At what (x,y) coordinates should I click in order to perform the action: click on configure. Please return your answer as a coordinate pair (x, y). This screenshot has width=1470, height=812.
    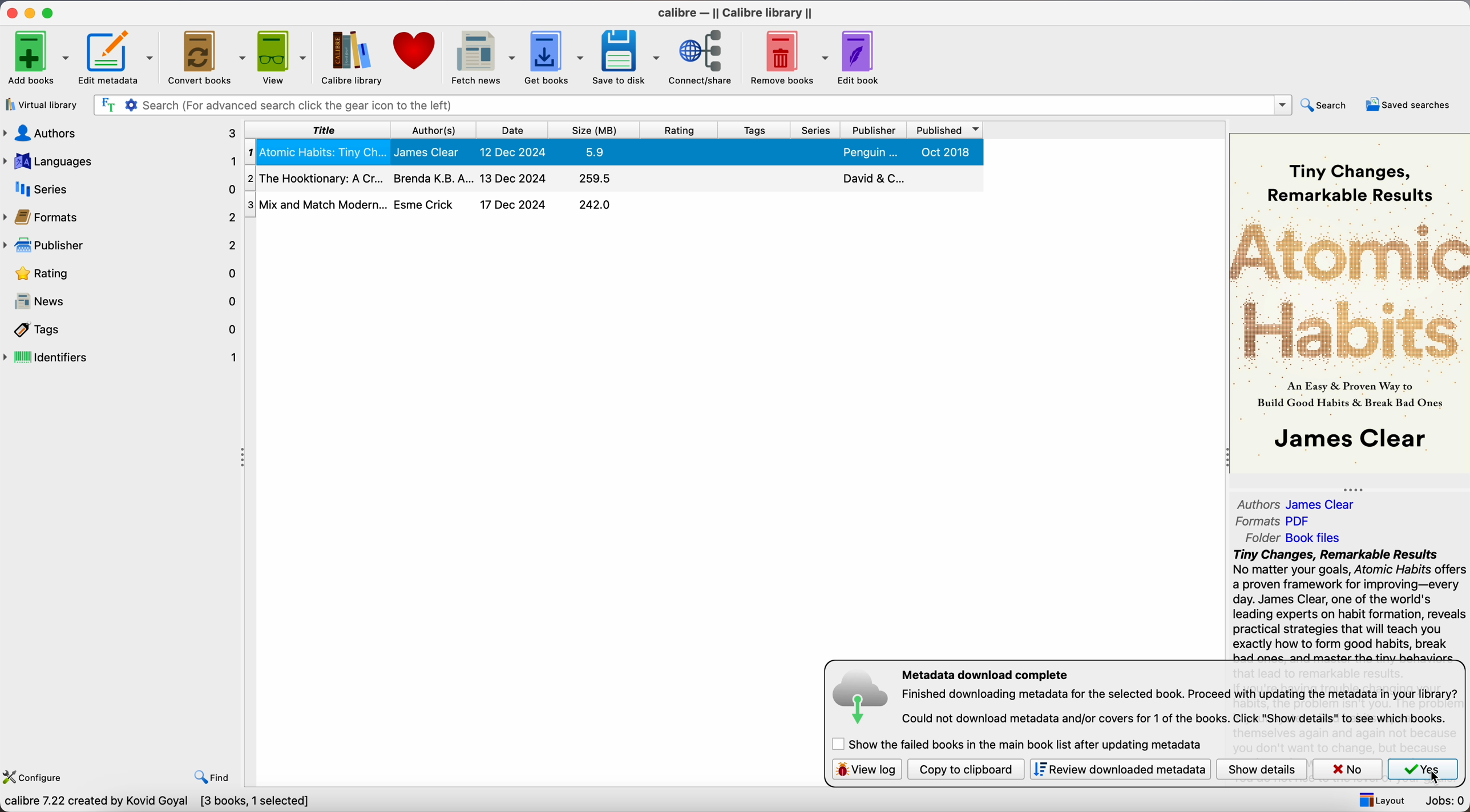
    Looking at the image, I should click on (33, 776).